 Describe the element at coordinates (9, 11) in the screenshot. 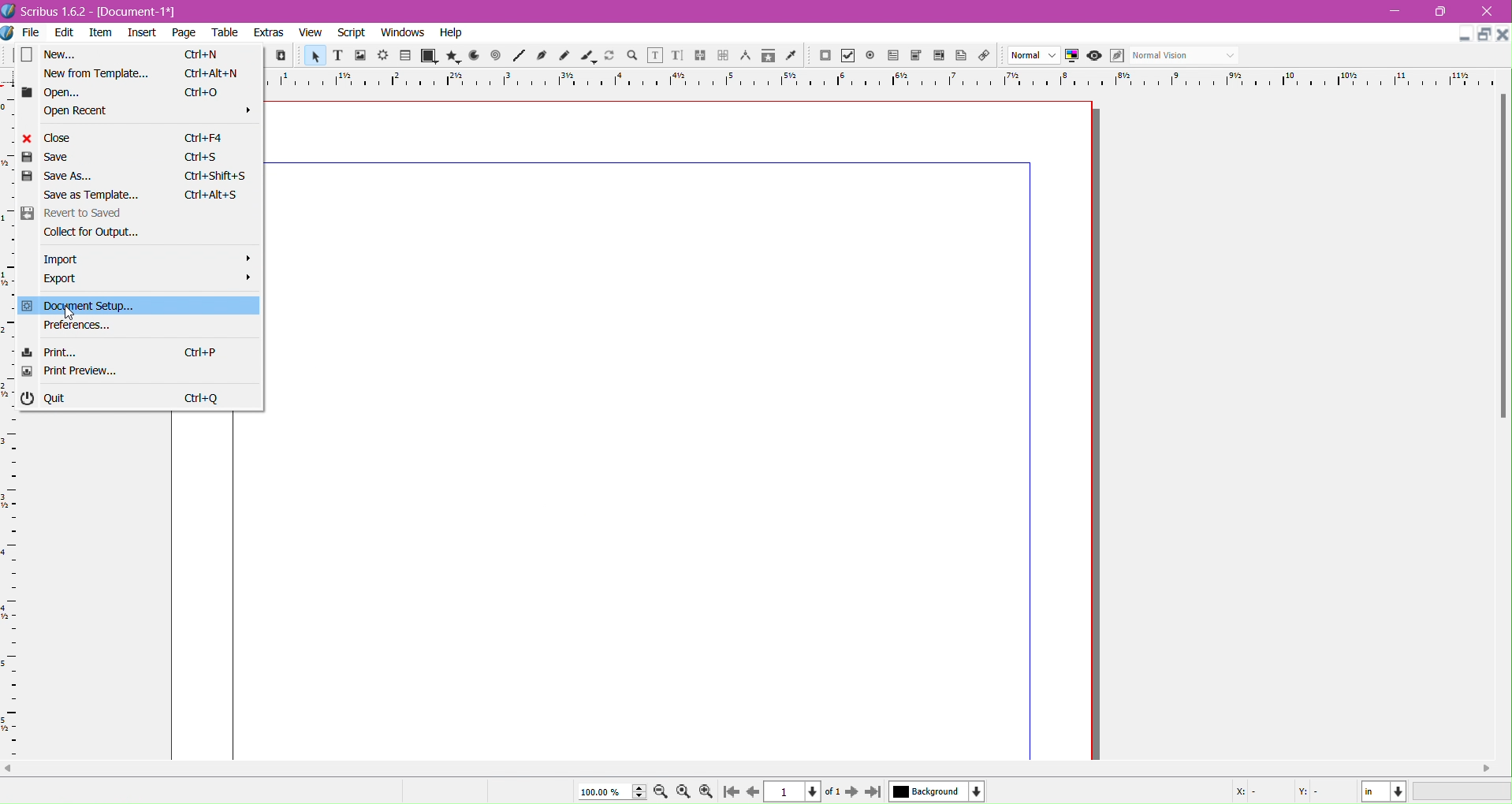

I see `app icon` at that location.